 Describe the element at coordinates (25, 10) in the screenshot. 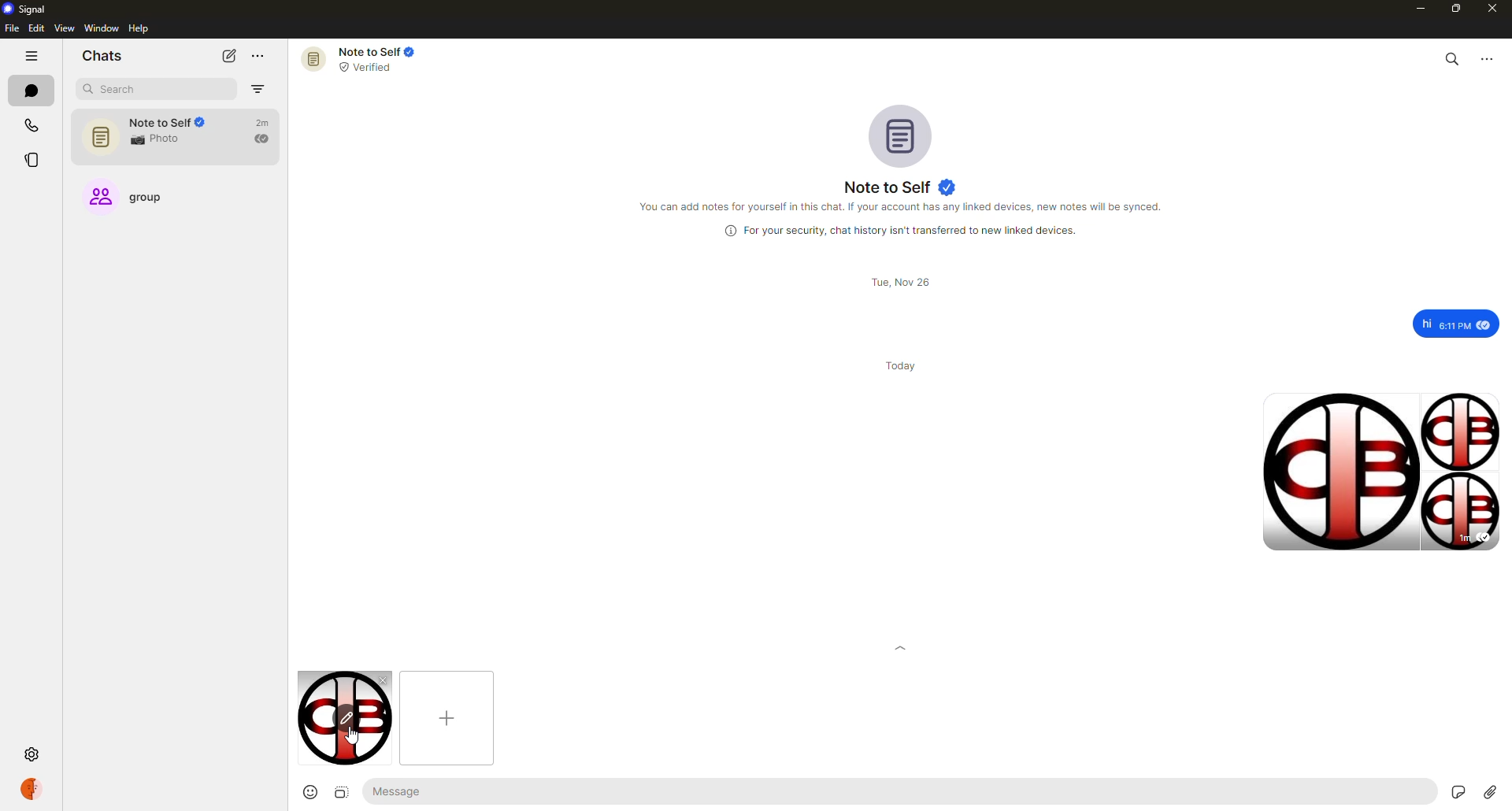

I see `signal` at that location.